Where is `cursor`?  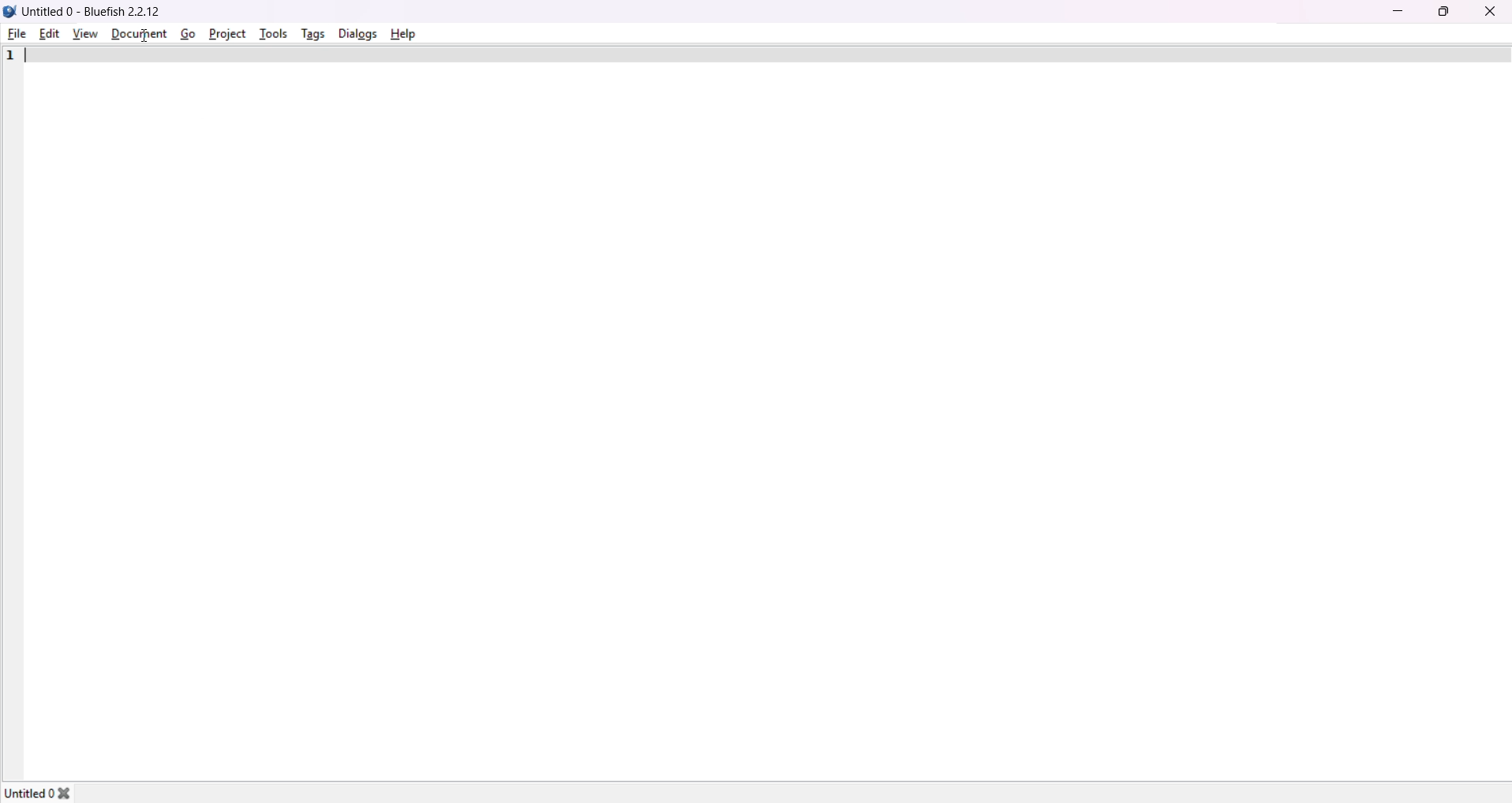 cursor is located at coordinates (139, 35).